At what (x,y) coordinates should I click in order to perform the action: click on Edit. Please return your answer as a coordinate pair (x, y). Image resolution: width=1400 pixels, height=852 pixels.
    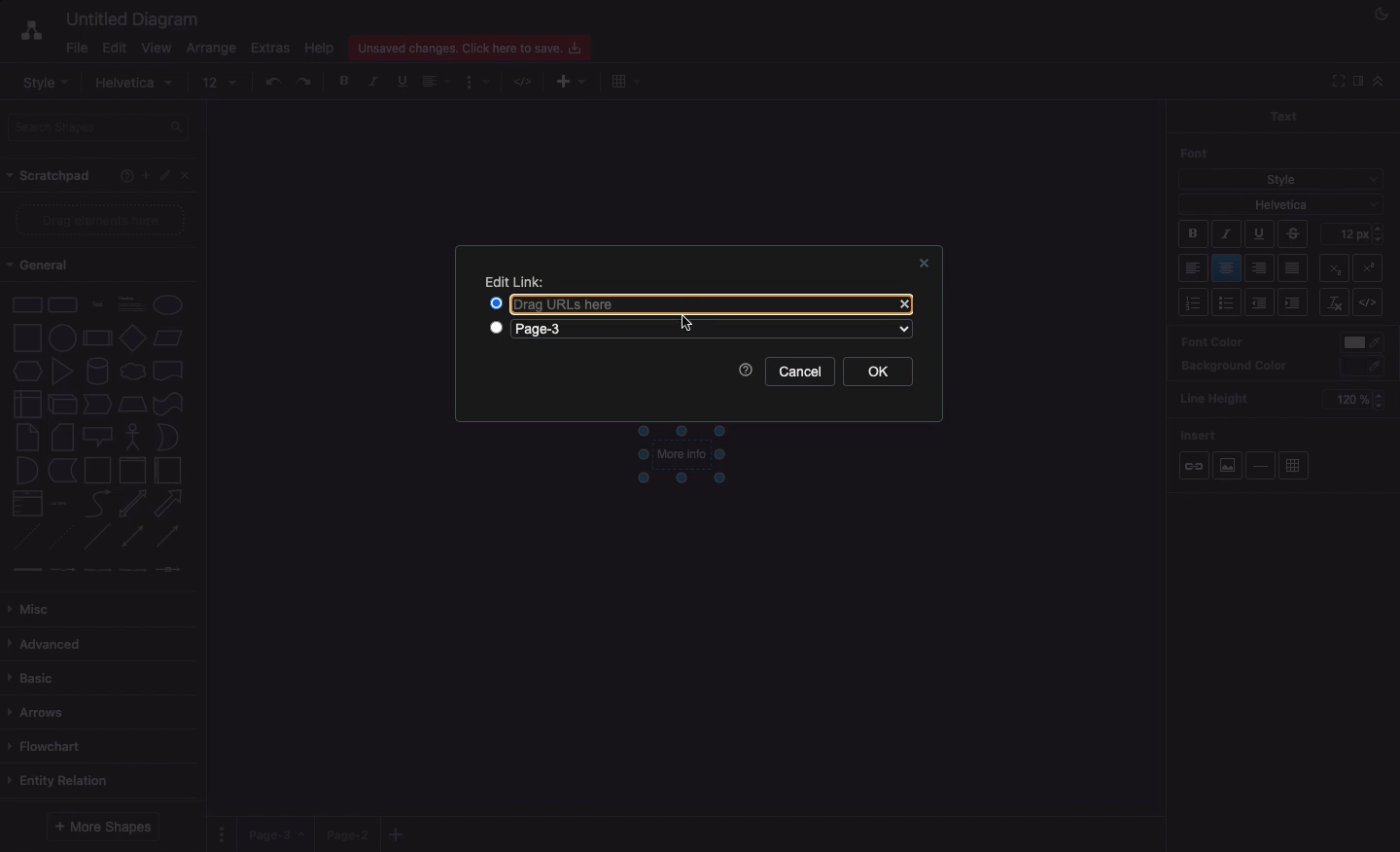
    Looking at the image, I should click on (166, 176).